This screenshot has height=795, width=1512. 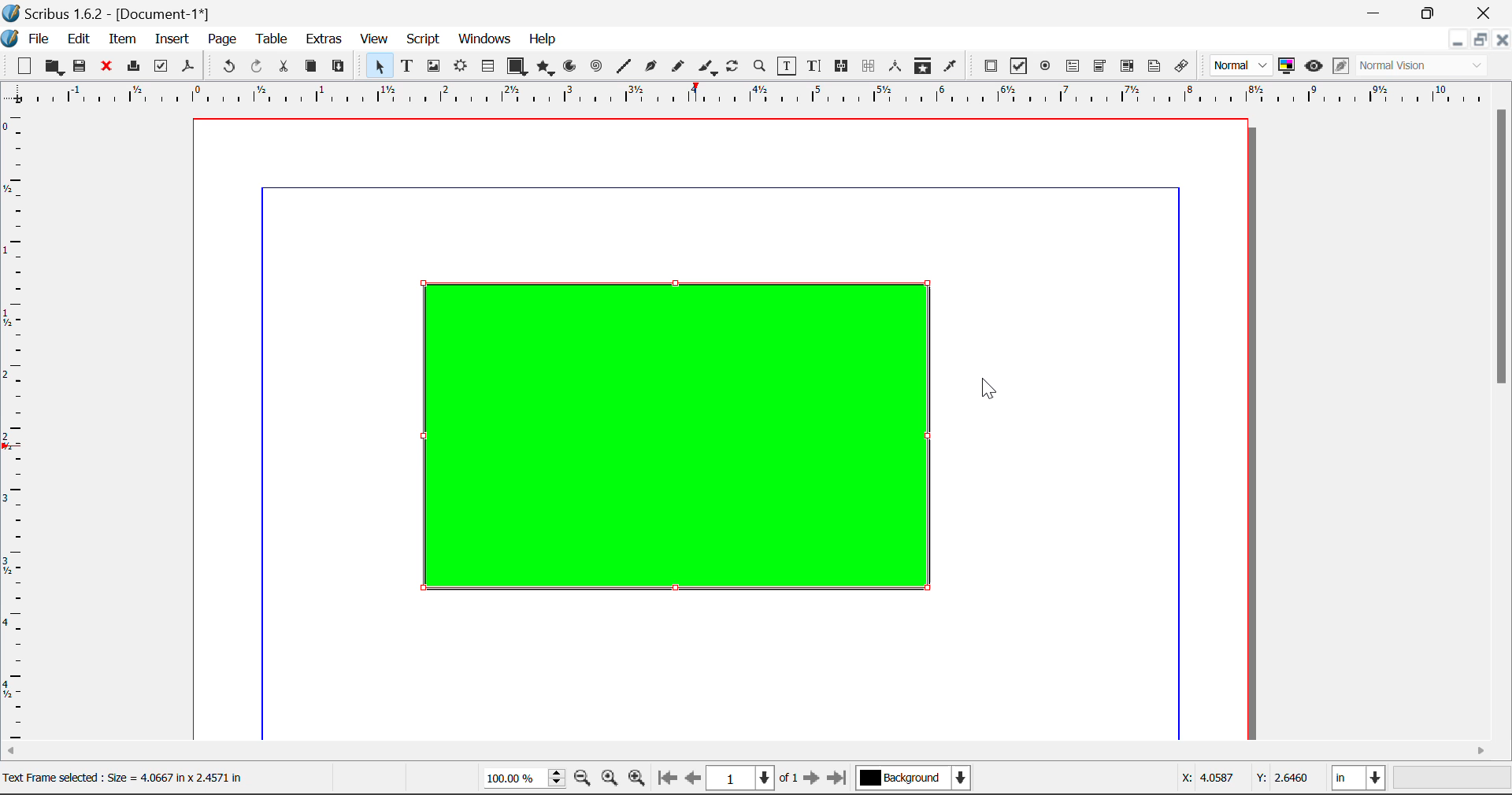 I want to click on Shapes, so click(x=517, y=65).